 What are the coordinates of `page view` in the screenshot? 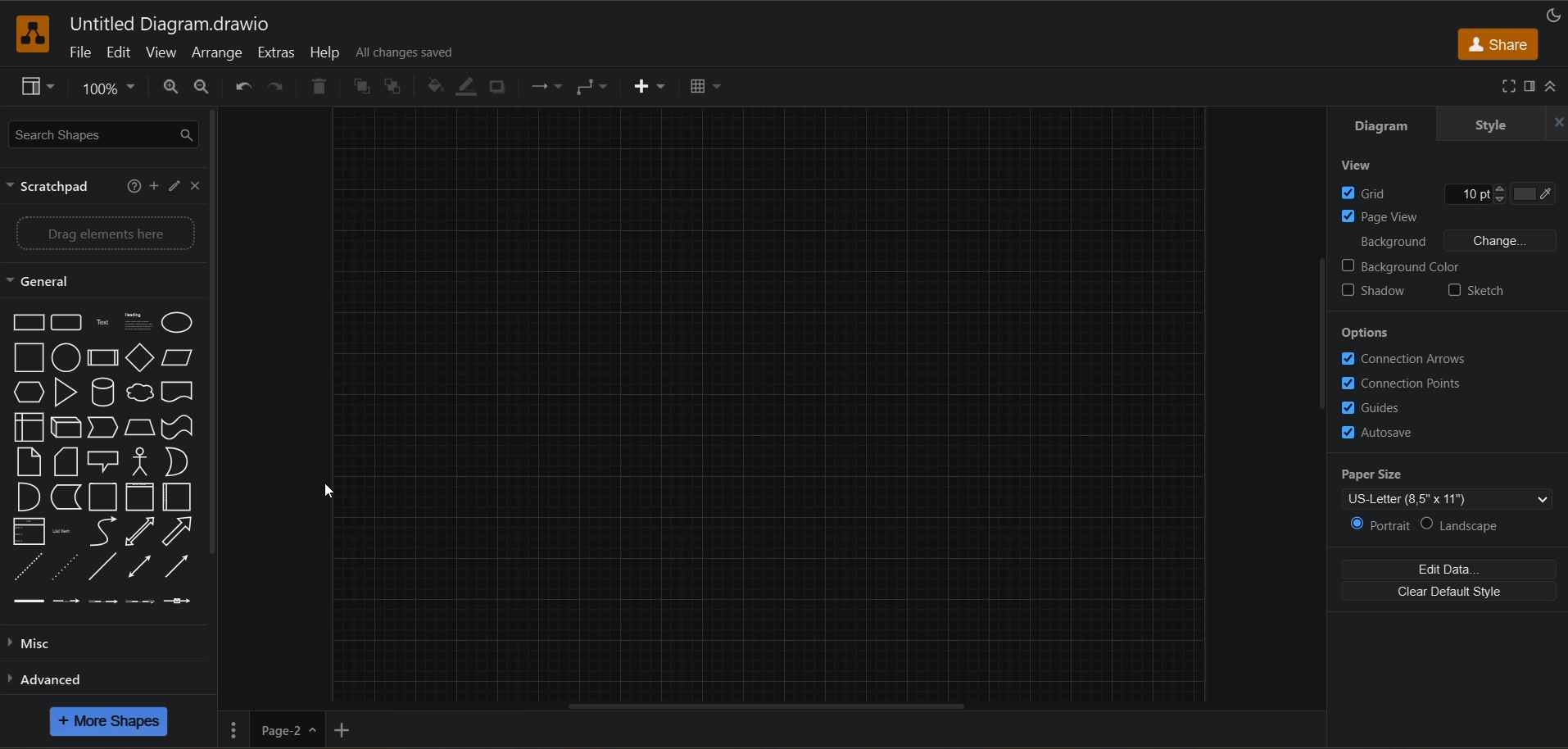 It's located at (1382, 216).